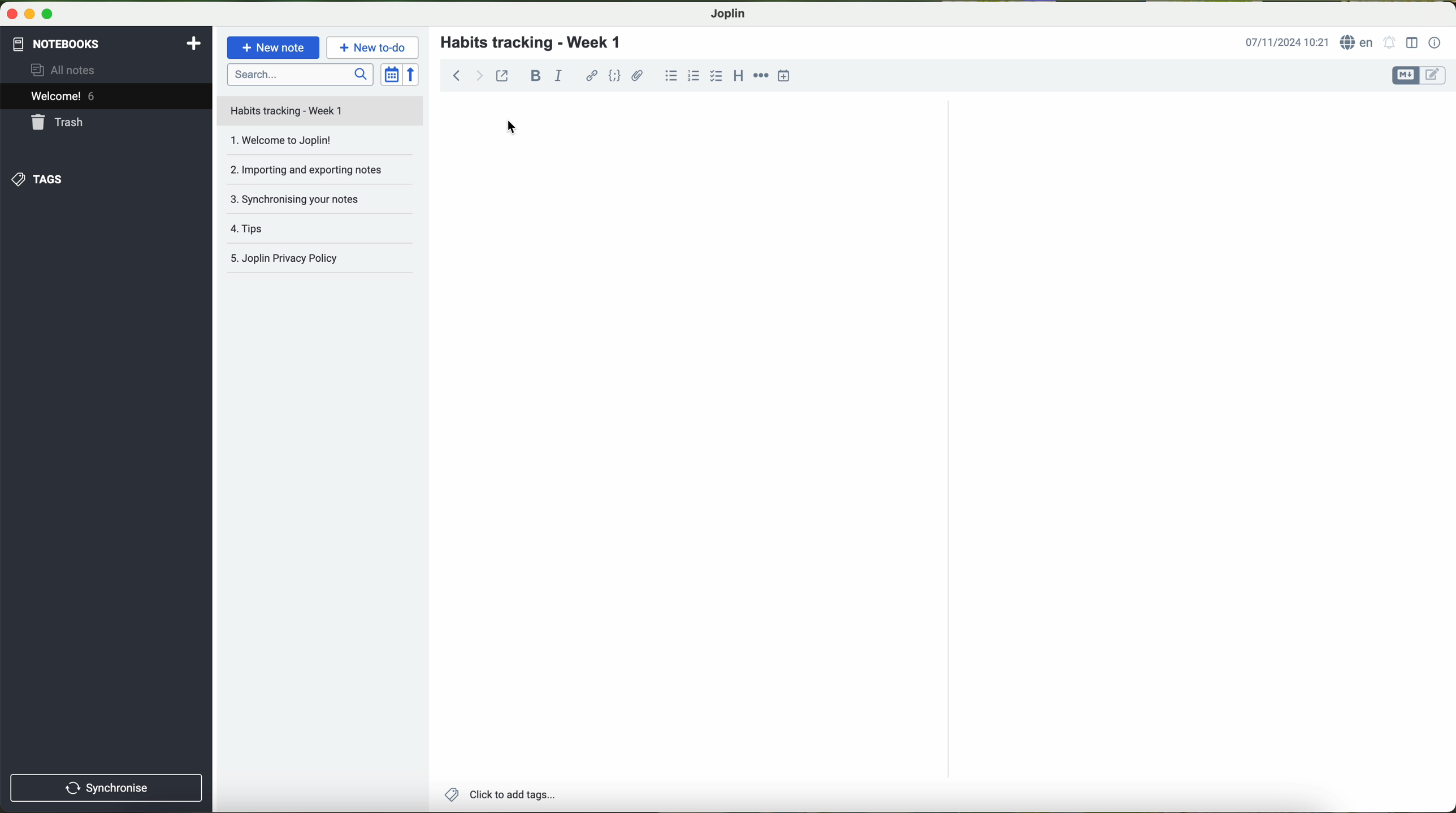  Describe the element at coordinates (761, 76) in the screenshot. I see `horizontal rule` at that location.